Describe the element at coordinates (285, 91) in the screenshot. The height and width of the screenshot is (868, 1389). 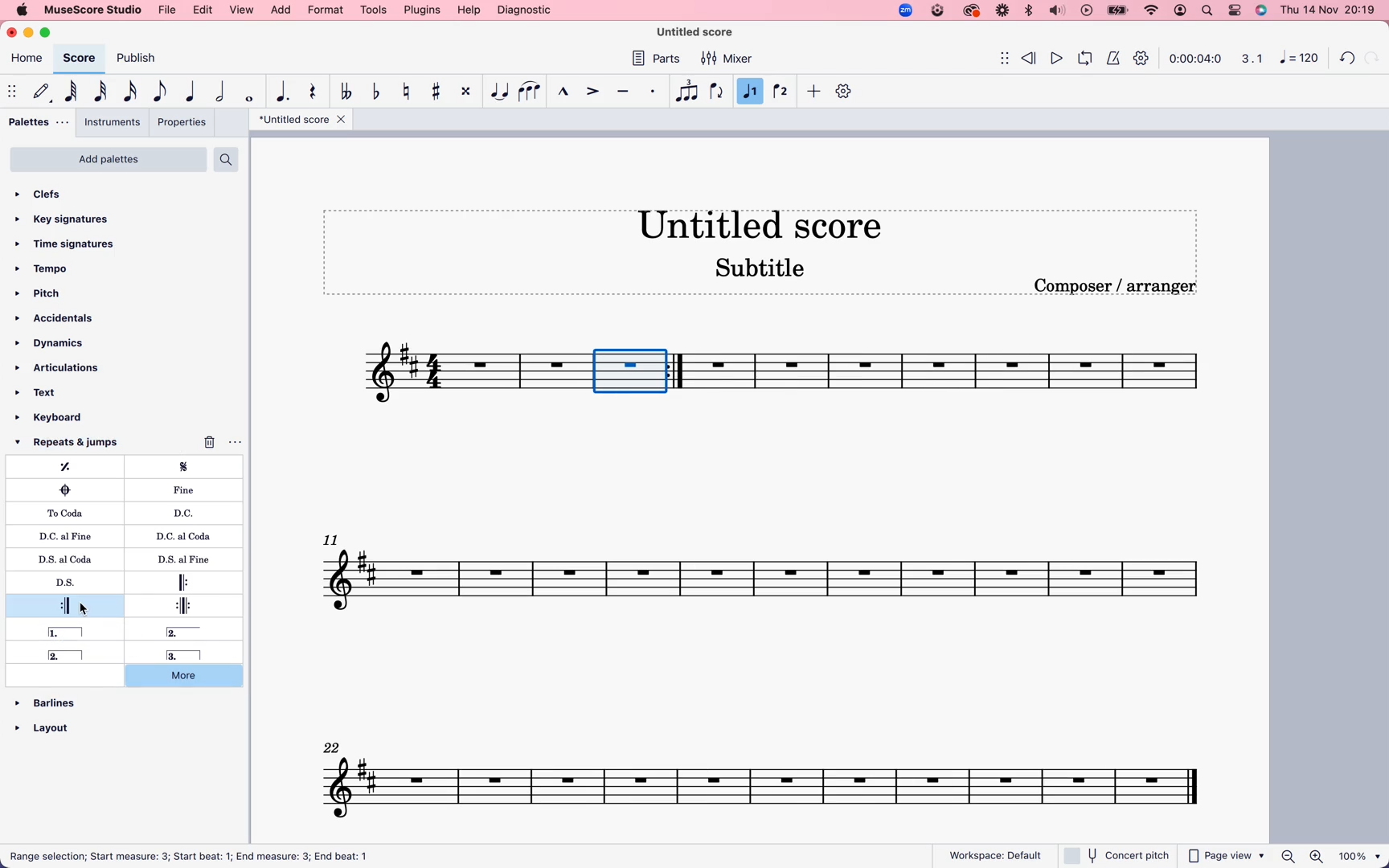
I see `augmentation dot` at that location.